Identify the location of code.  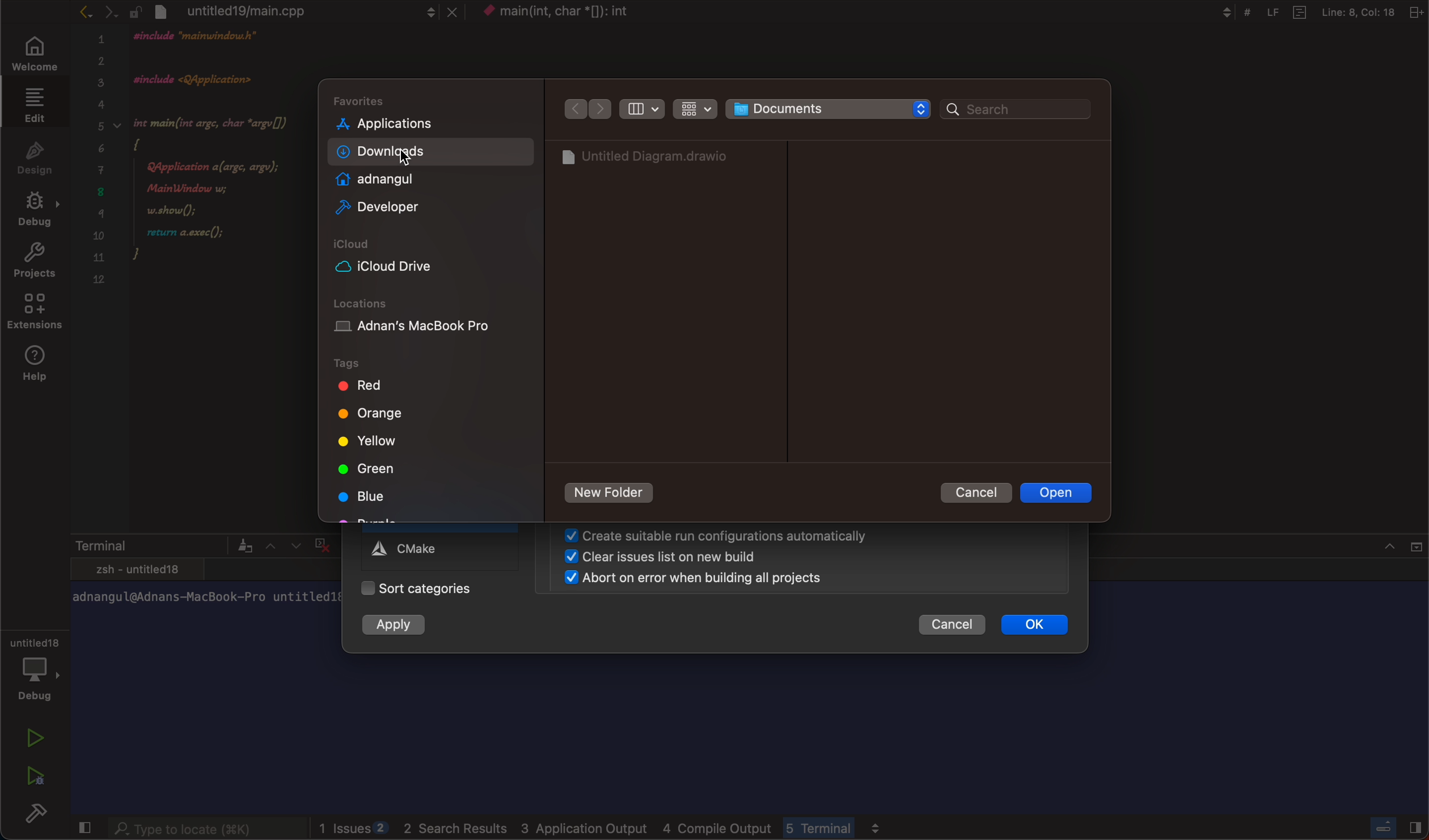
(198, 157).